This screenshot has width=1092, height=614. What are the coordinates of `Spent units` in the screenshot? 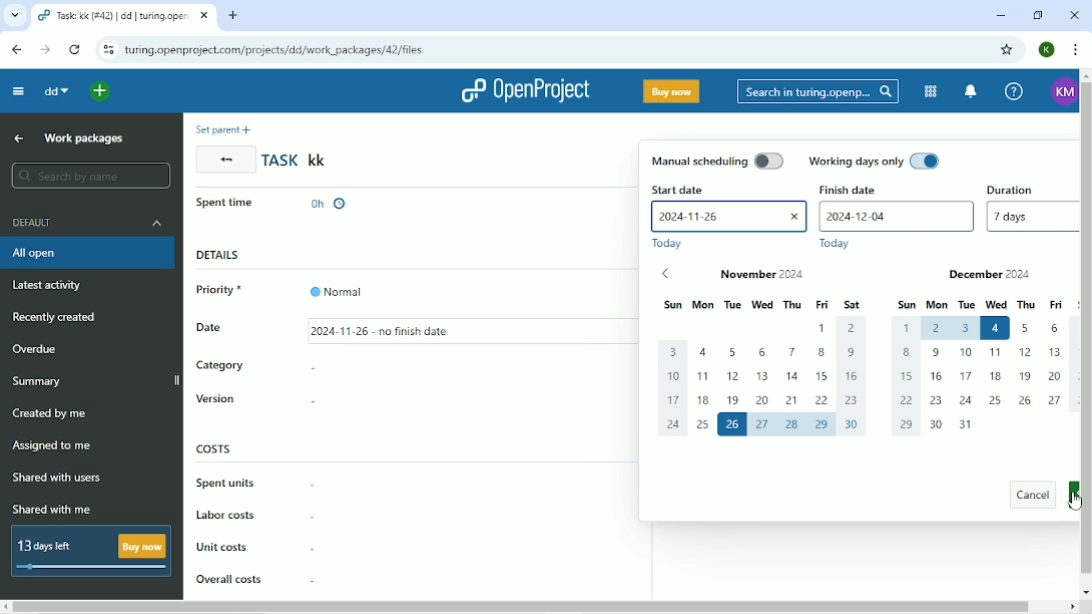 It's located at (255, 482).